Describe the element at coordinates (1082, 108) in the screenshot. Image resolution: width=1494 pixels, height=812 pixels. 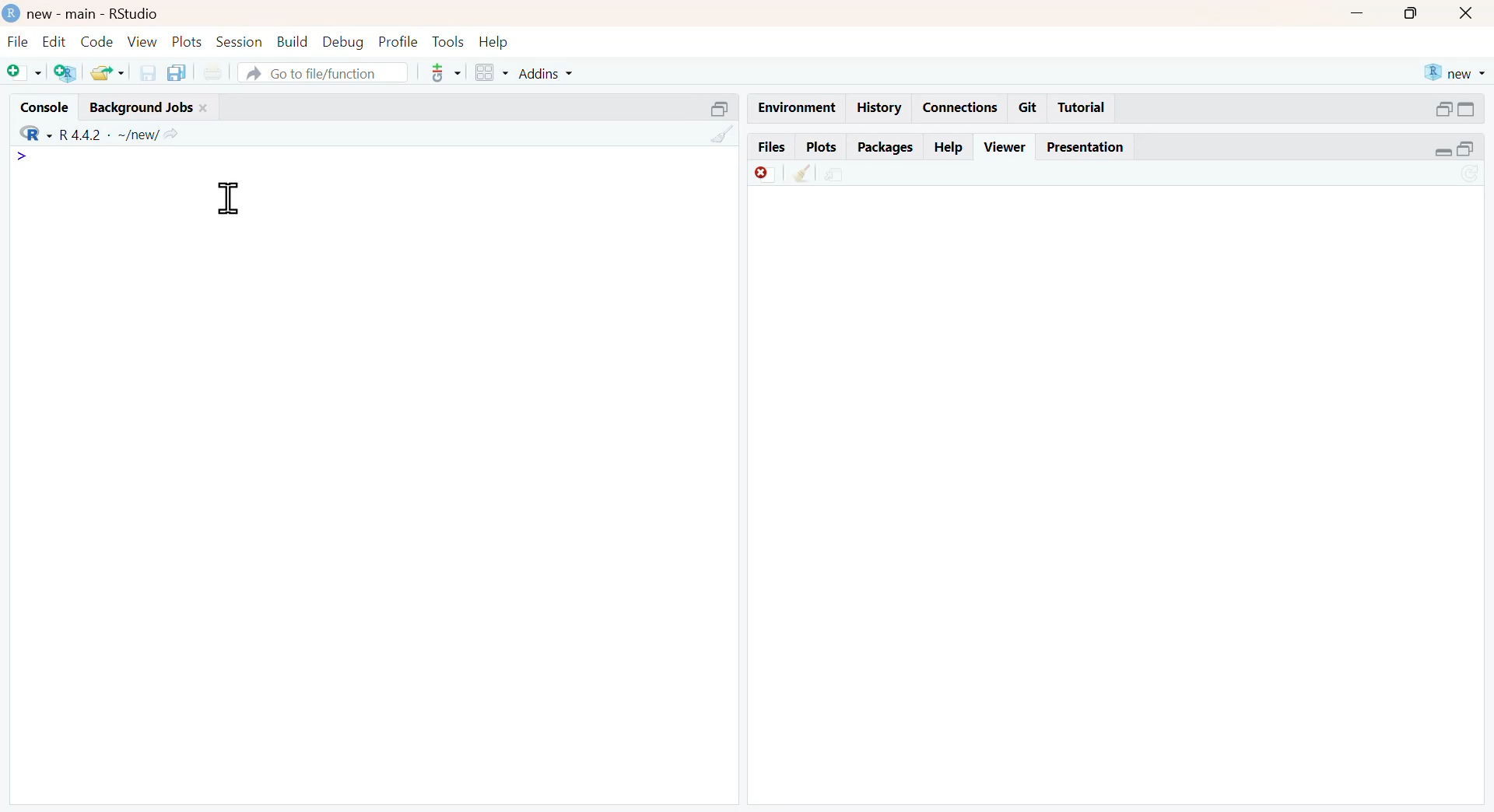
I see `tutorial` at that location.